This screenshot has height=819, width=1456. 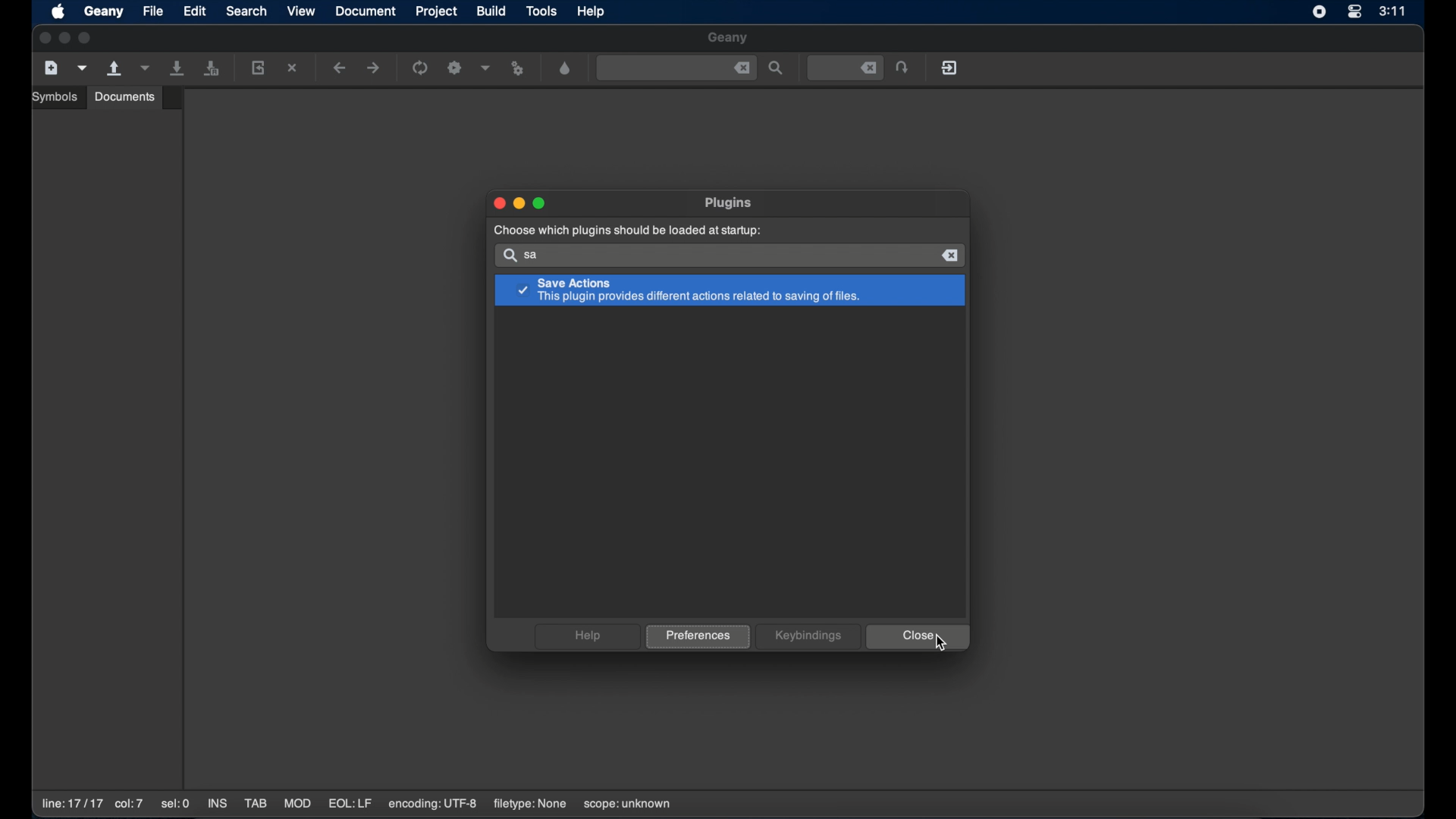 What do you see at coordinates (366, 11) in the screenshot?
I see `document` at bounding box center [366, 11].